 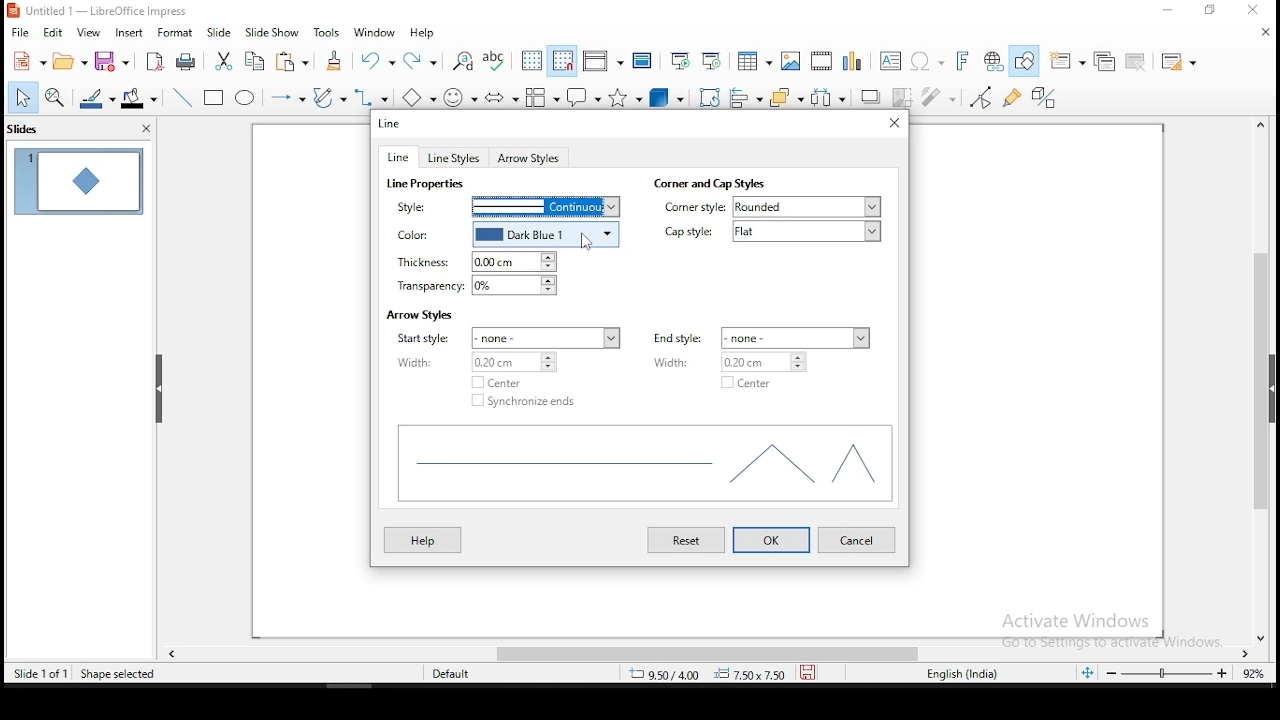 What do you see at coordinates (519, 261) in the screenshot?
I see `0.00cm` at bounding box center [519, 261].